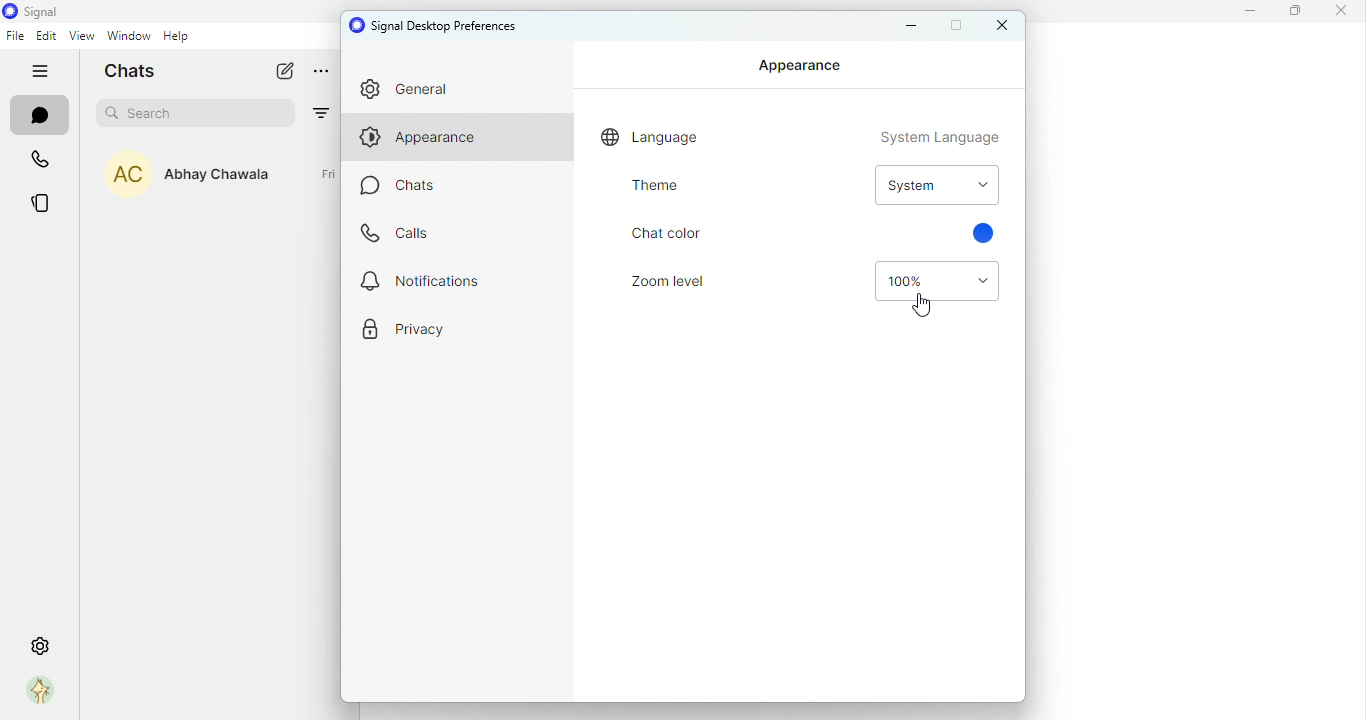 This screenshot has width=1366, height=720. Describe the element at coordinates (38, 12) in the screenshot. I see `icon` at that location.